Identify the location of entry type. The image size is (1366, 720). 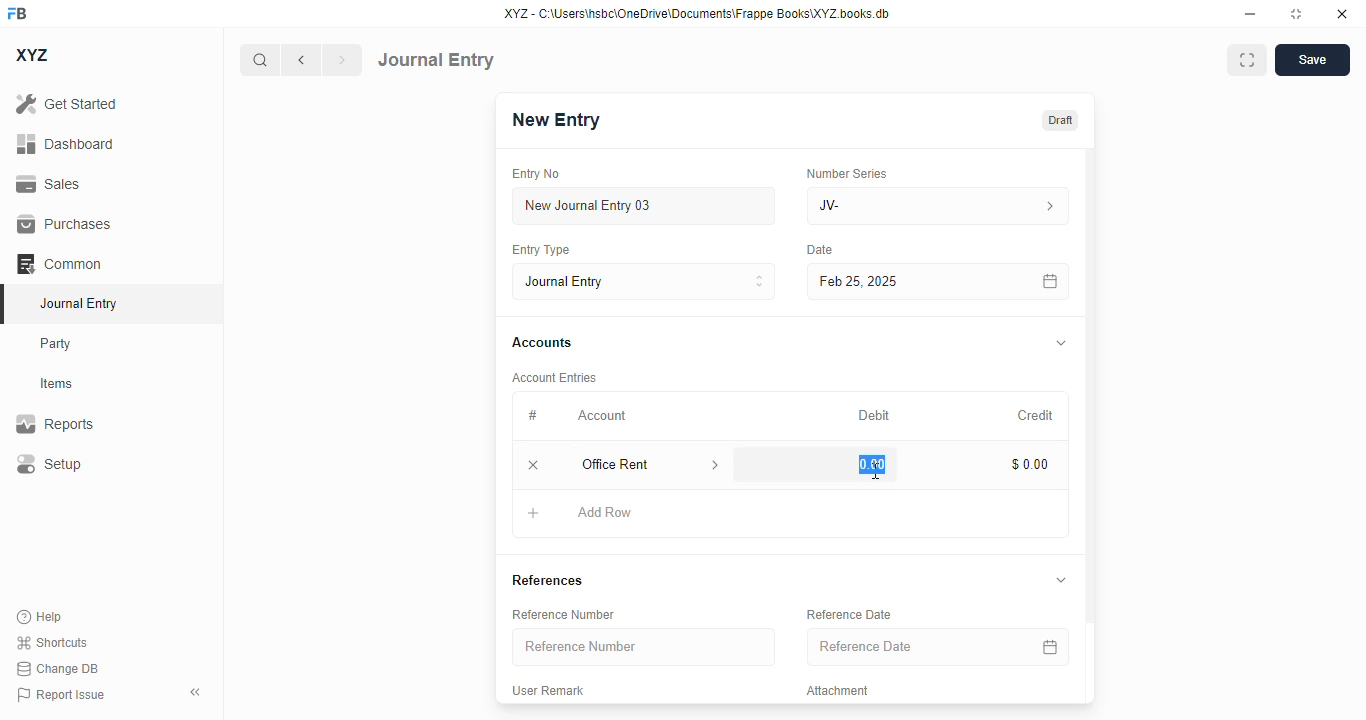
(539, 249).